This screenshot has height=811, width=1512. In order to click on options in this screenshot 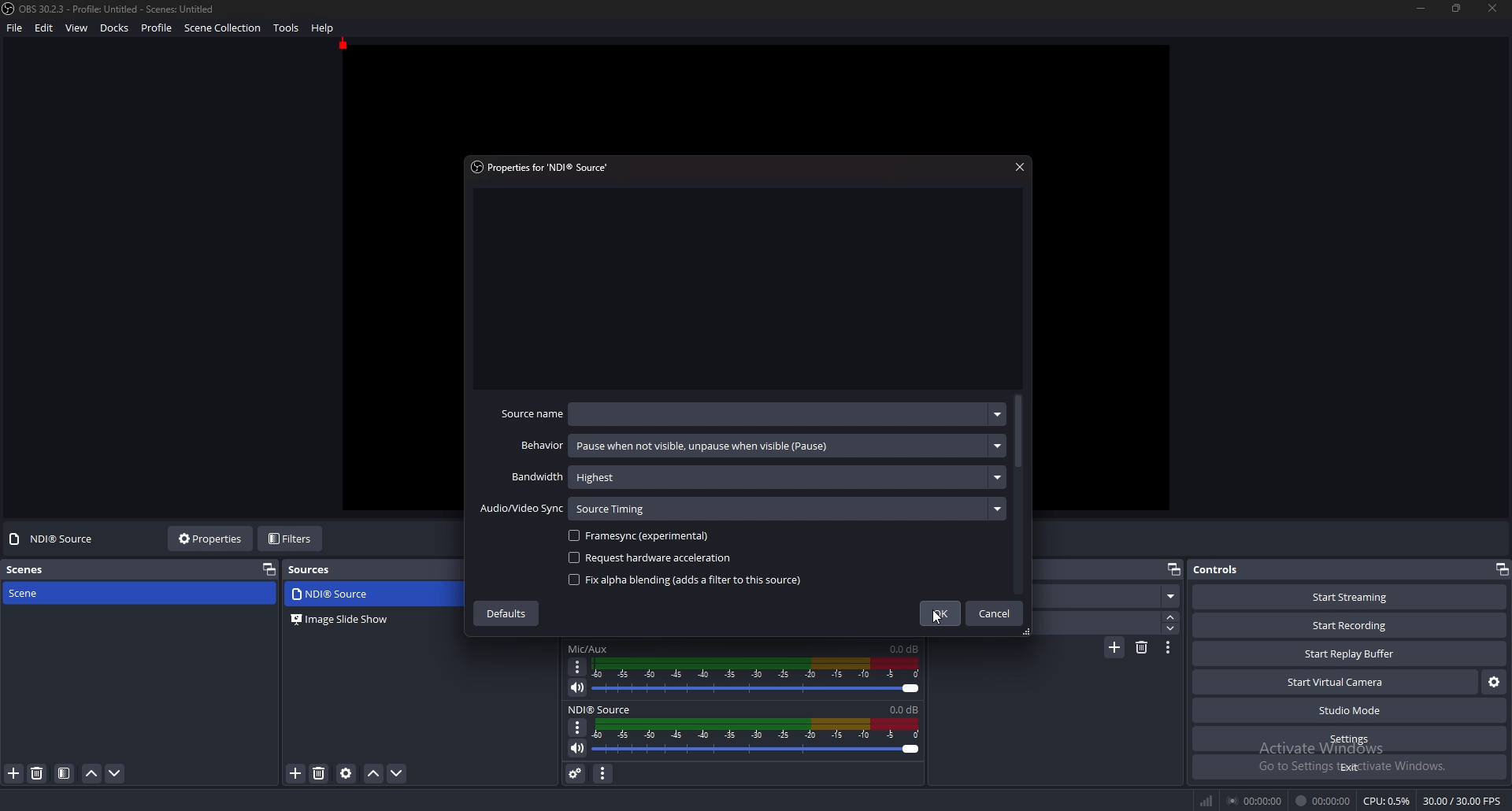, I will do `click(579, 668)`.